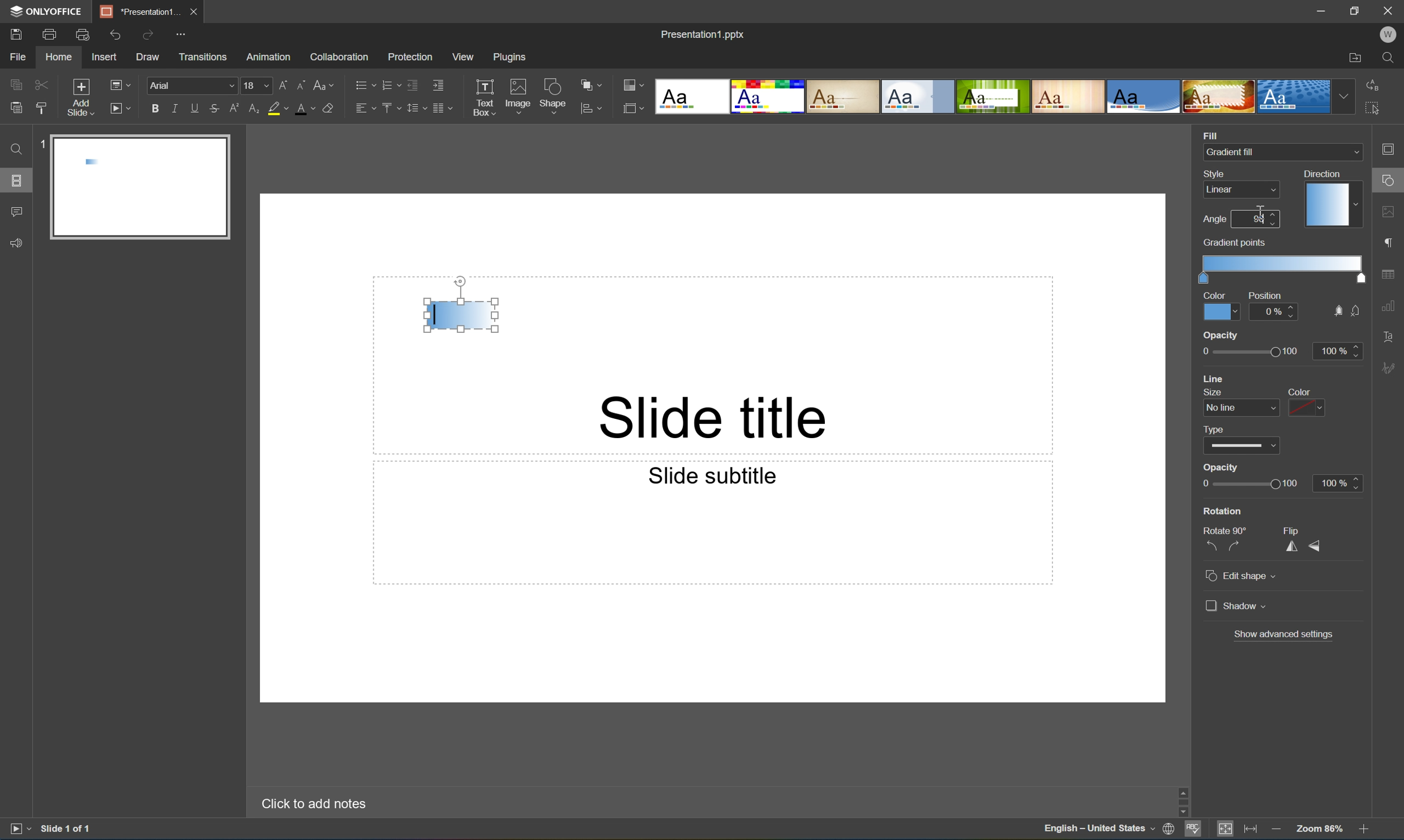  What do you see at coordinates (1372, 83) in the screenshot?
I see `Replace` at bounding box center [1372, 83].